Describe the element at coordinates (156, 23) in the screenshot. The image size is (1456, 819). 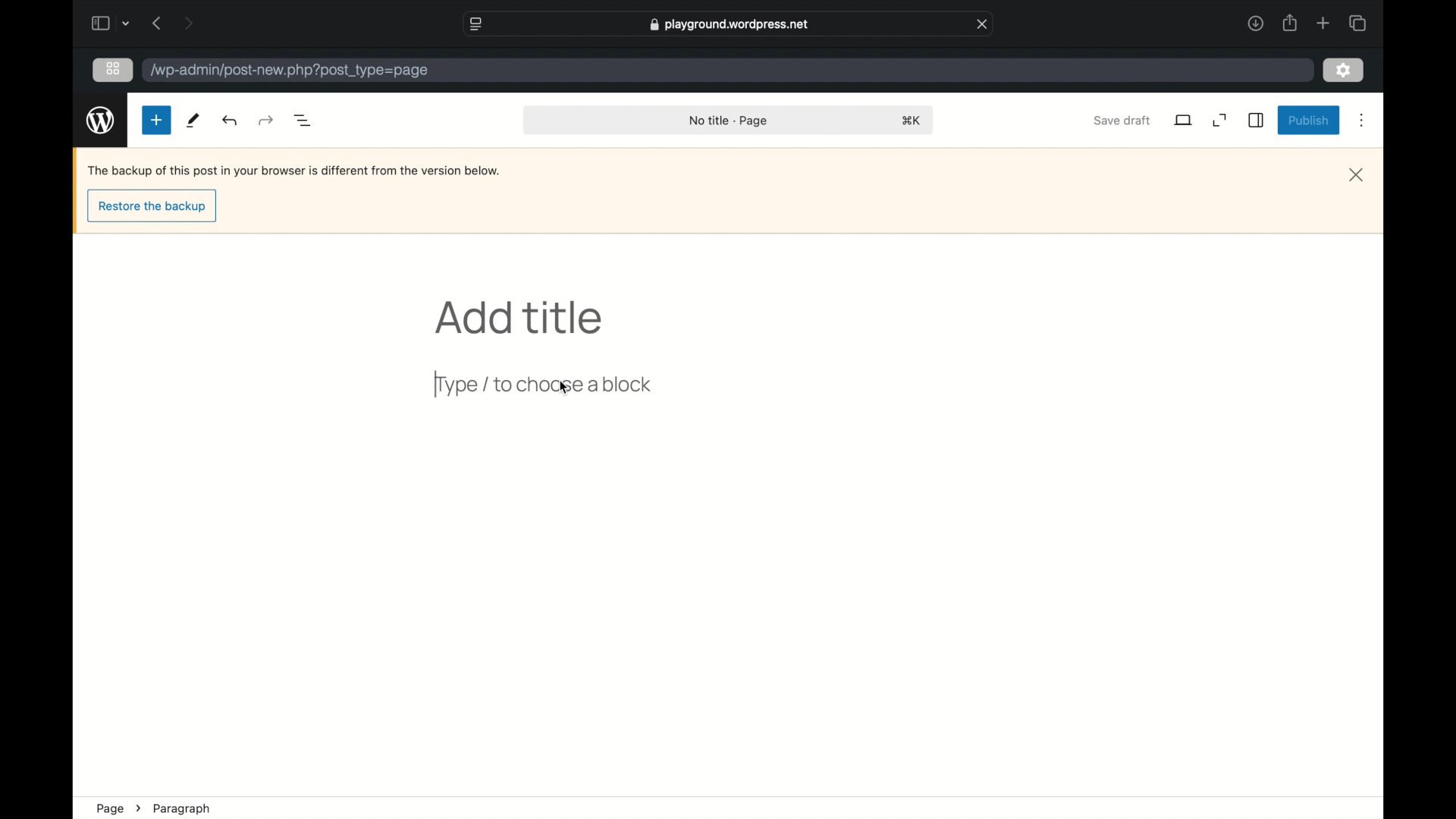
I see `previous page` at that location.